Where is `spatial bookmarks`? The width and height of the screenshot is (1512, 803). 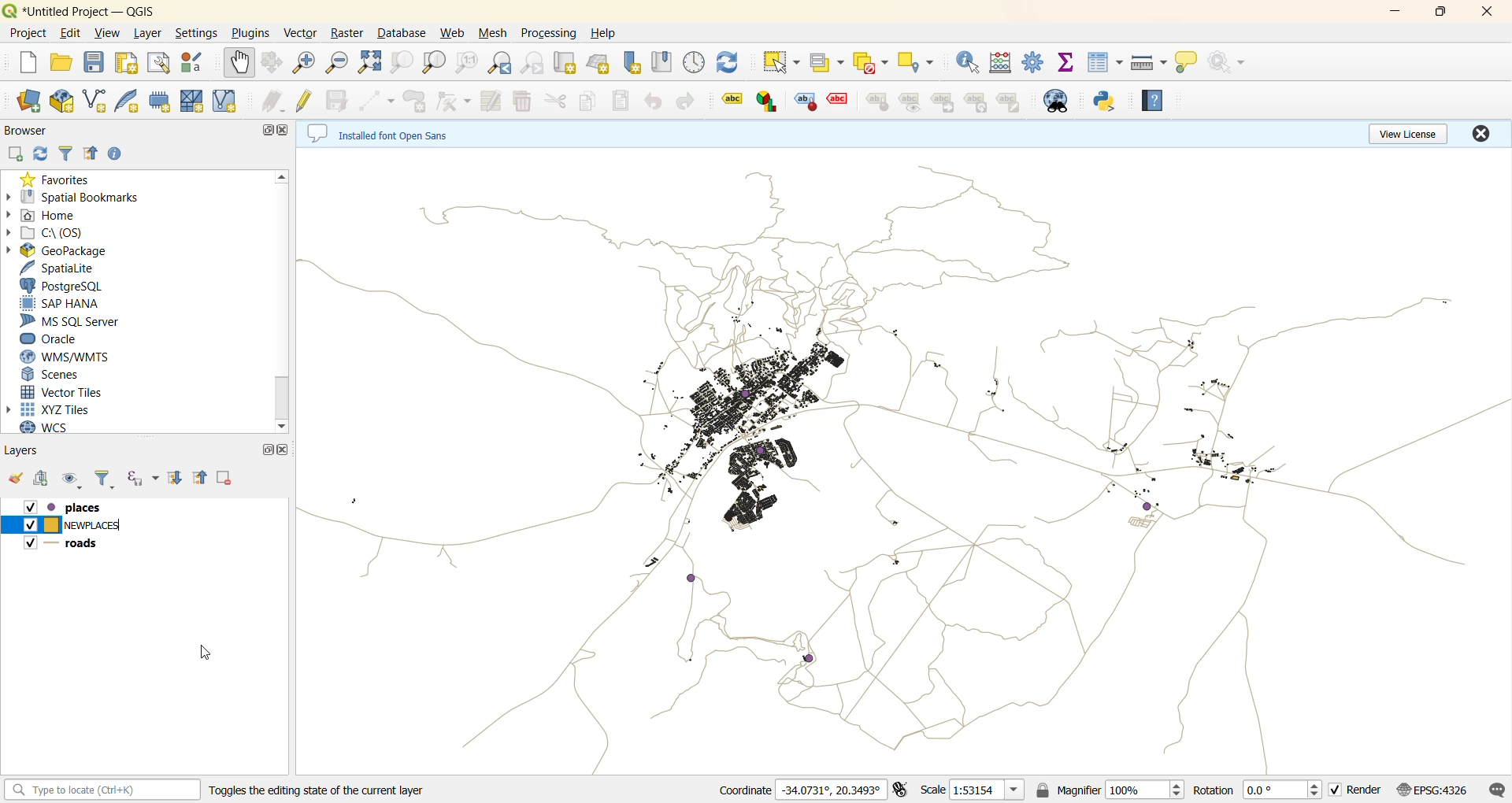 spatial bookmarks is located at coordinates (82, 197).